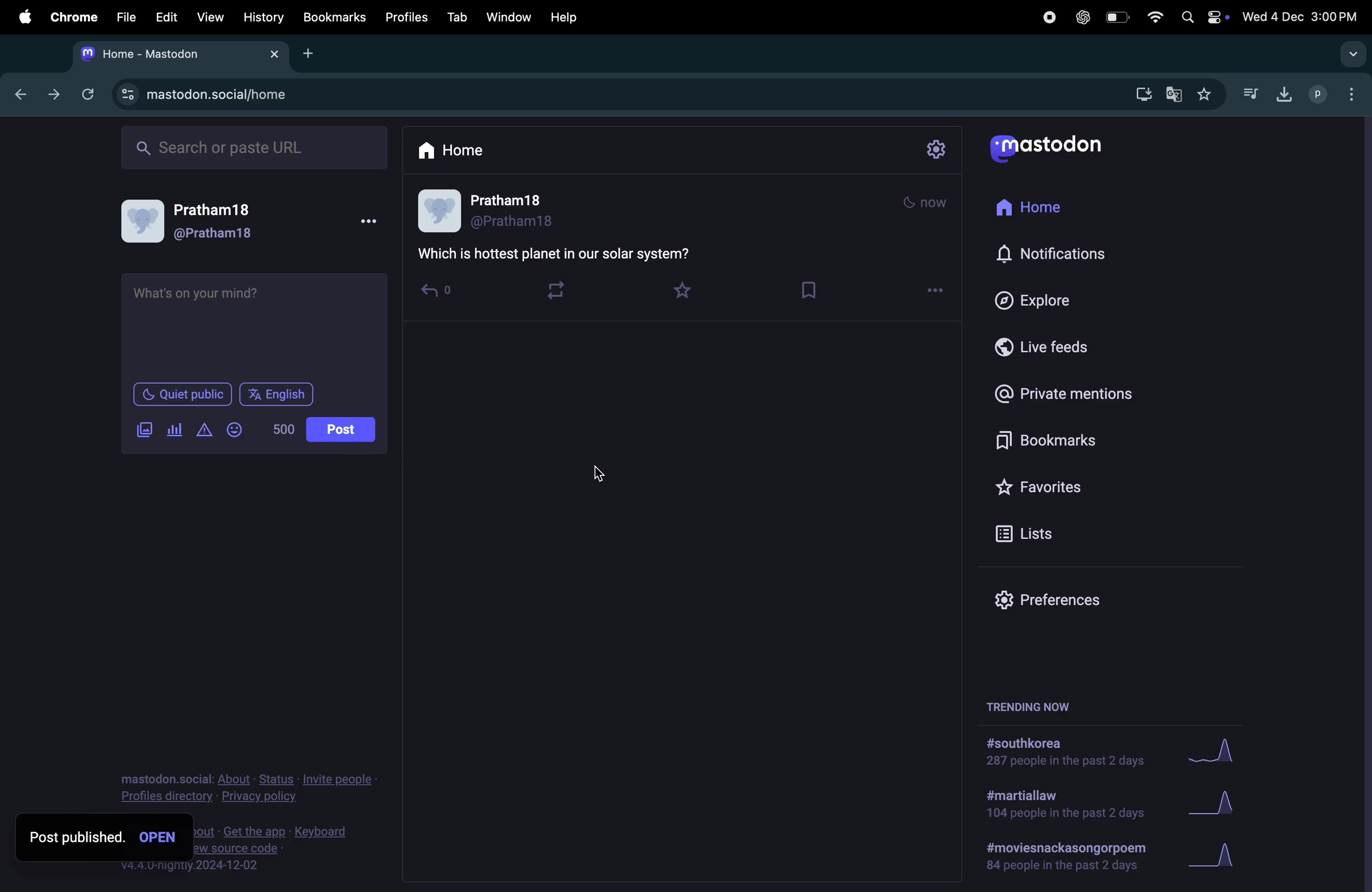 The image size is (1372, 892). Describe the element at coordinates (284, 853) in the screenshot. I see `view source code` at that location.